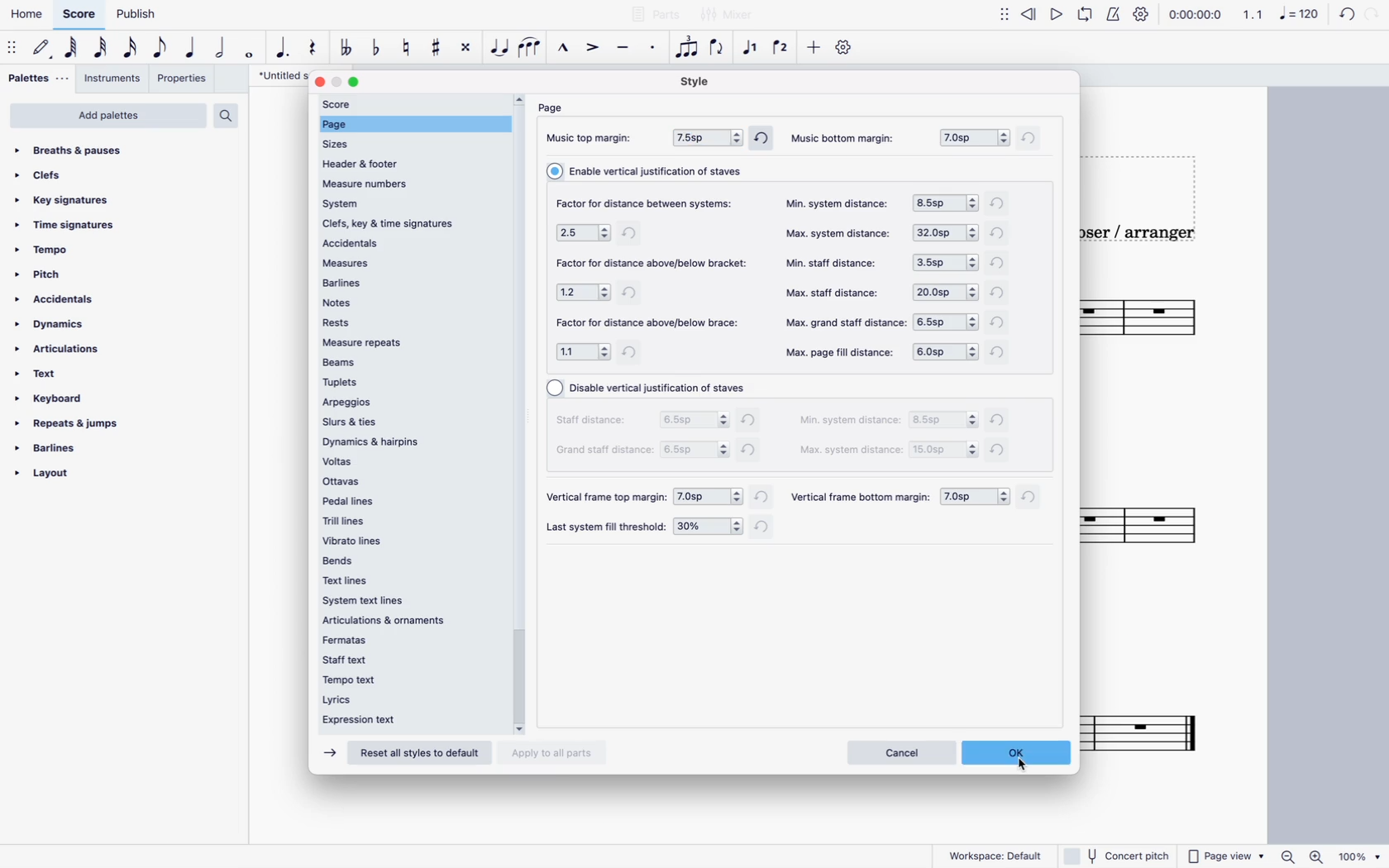 This screenshot has height=868, width=1389. Describe the element at coordinates (632, 232) in the screenshot. I see `refresh` at that location.